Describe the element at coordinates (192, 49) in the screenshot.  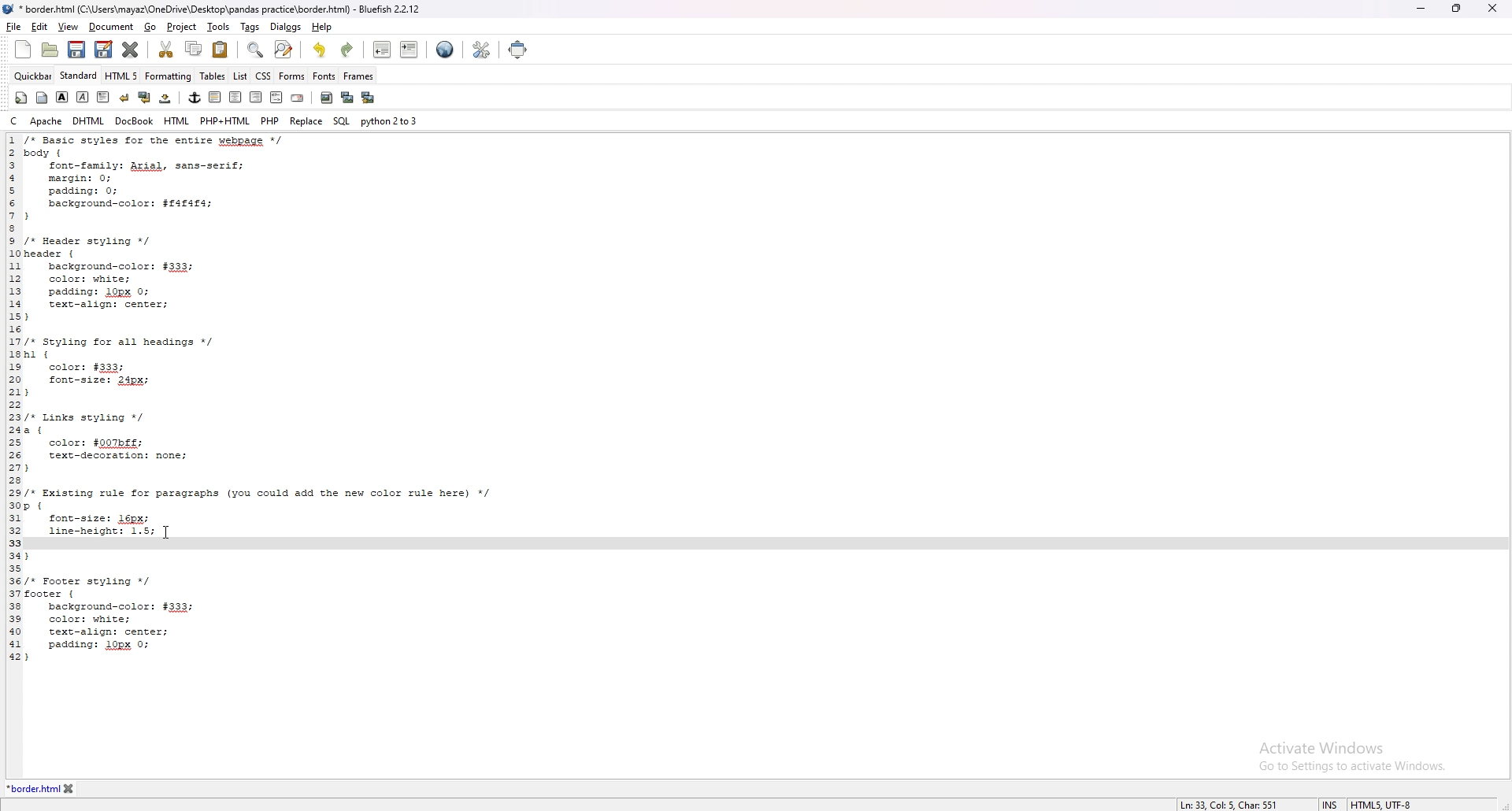
I see `copy` at that location.